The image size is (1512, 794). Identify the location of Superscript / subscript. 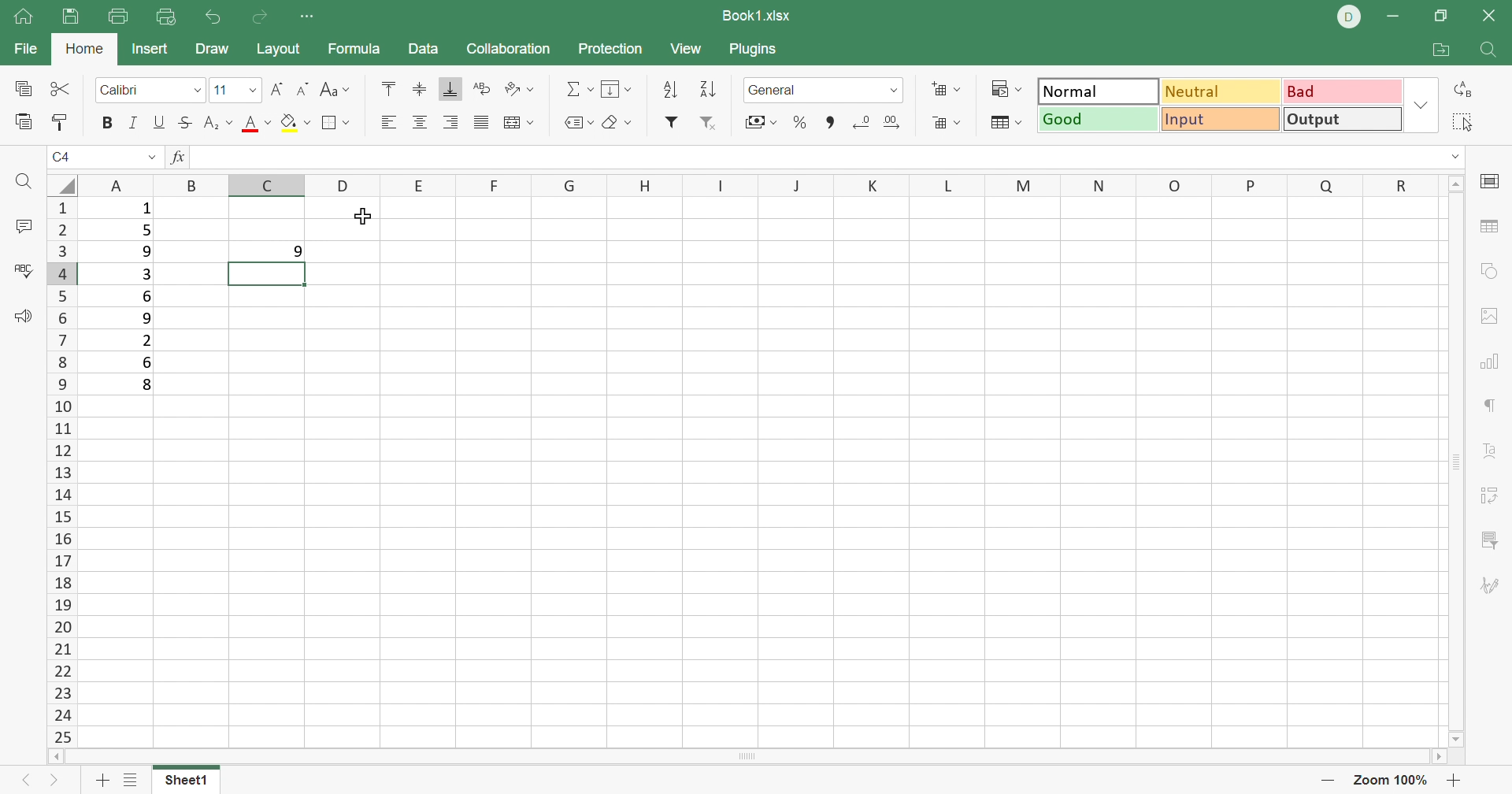
(218, 123).